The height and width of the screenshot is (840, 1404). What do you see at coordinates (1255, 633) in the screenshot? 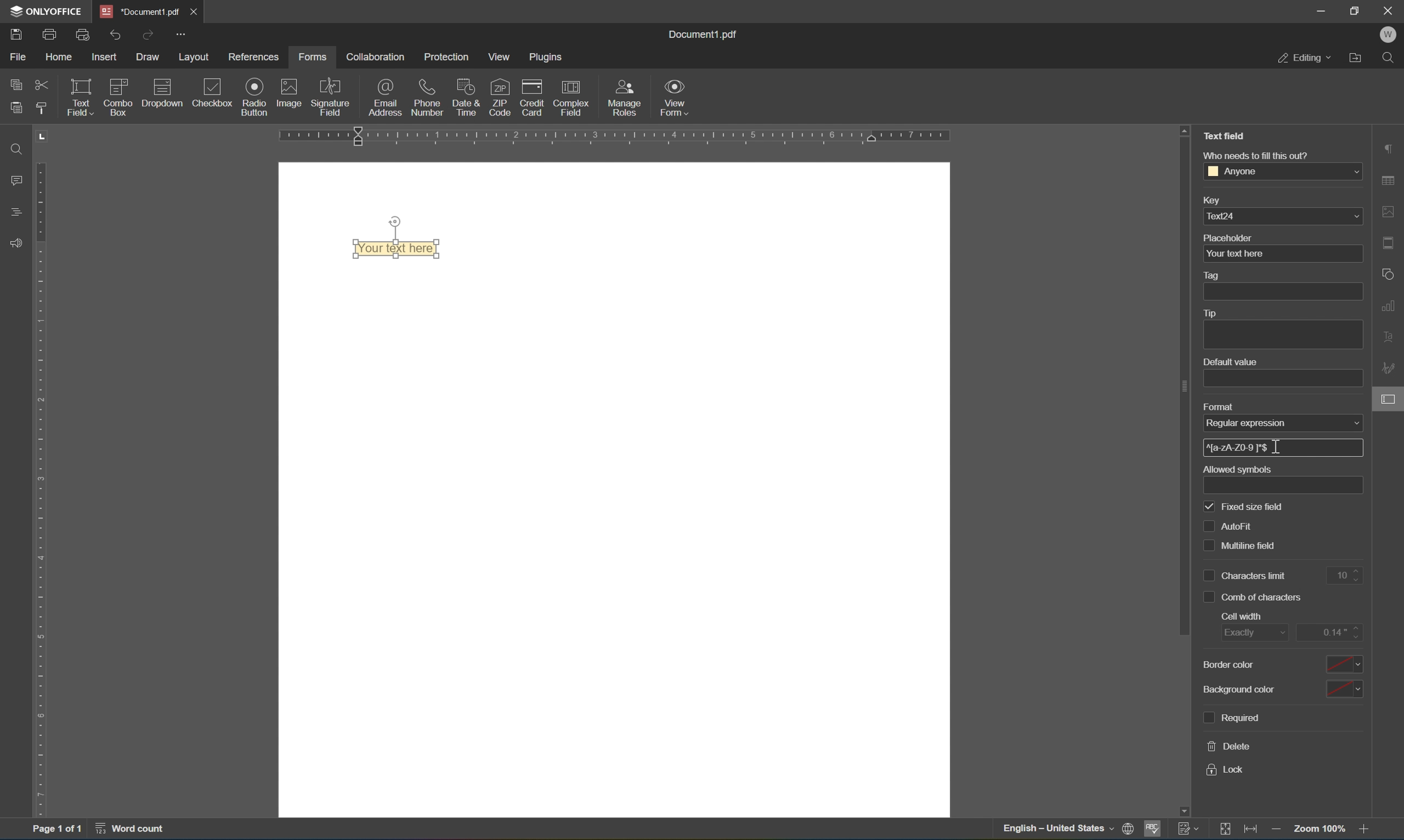
I see `exactly` at bounding box center [1255, 633].